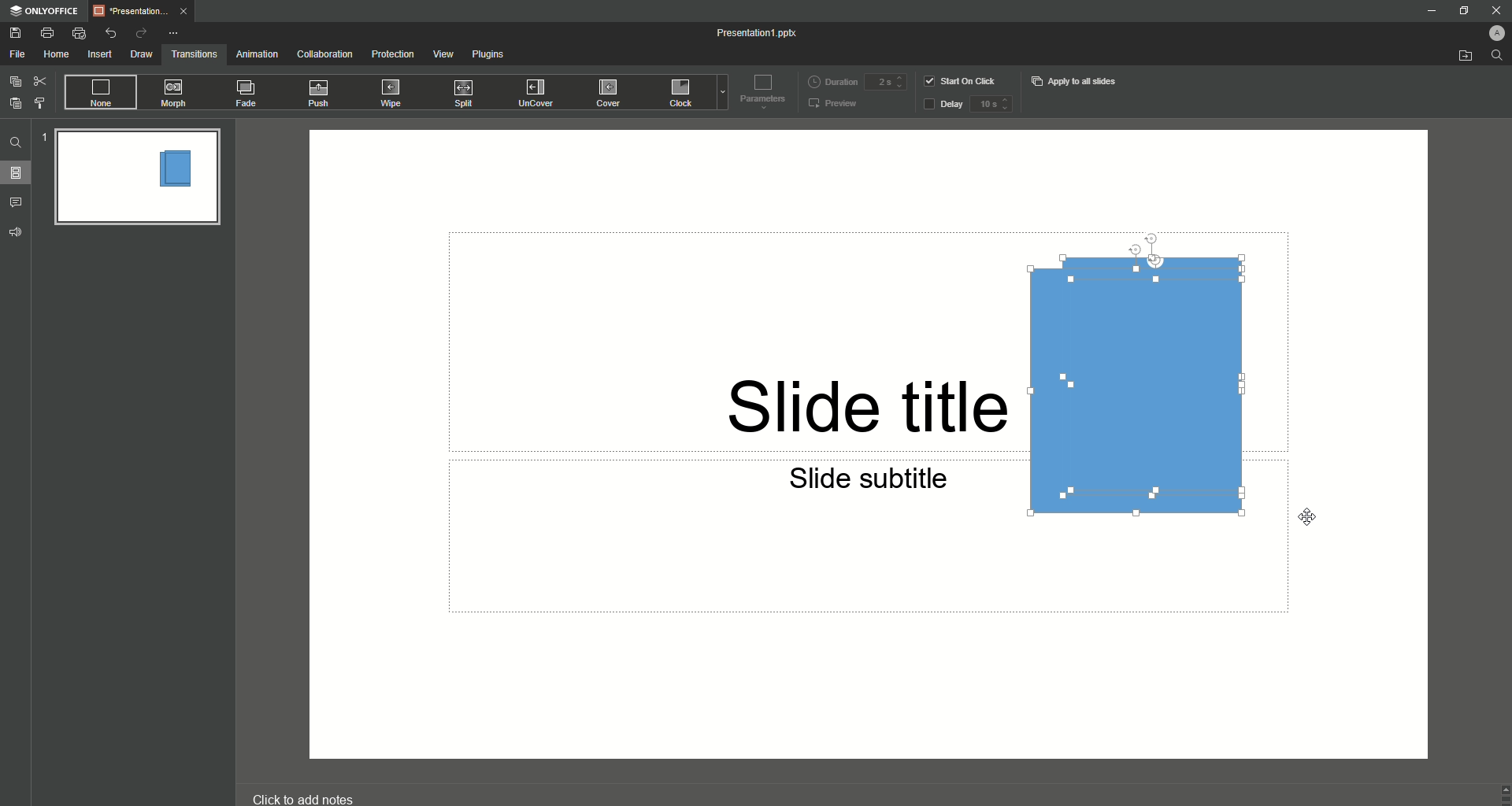  What do you see at coordinates (1465, 57) in the screenshot?
I see `Open from file` at bounding box center [1465, 57].